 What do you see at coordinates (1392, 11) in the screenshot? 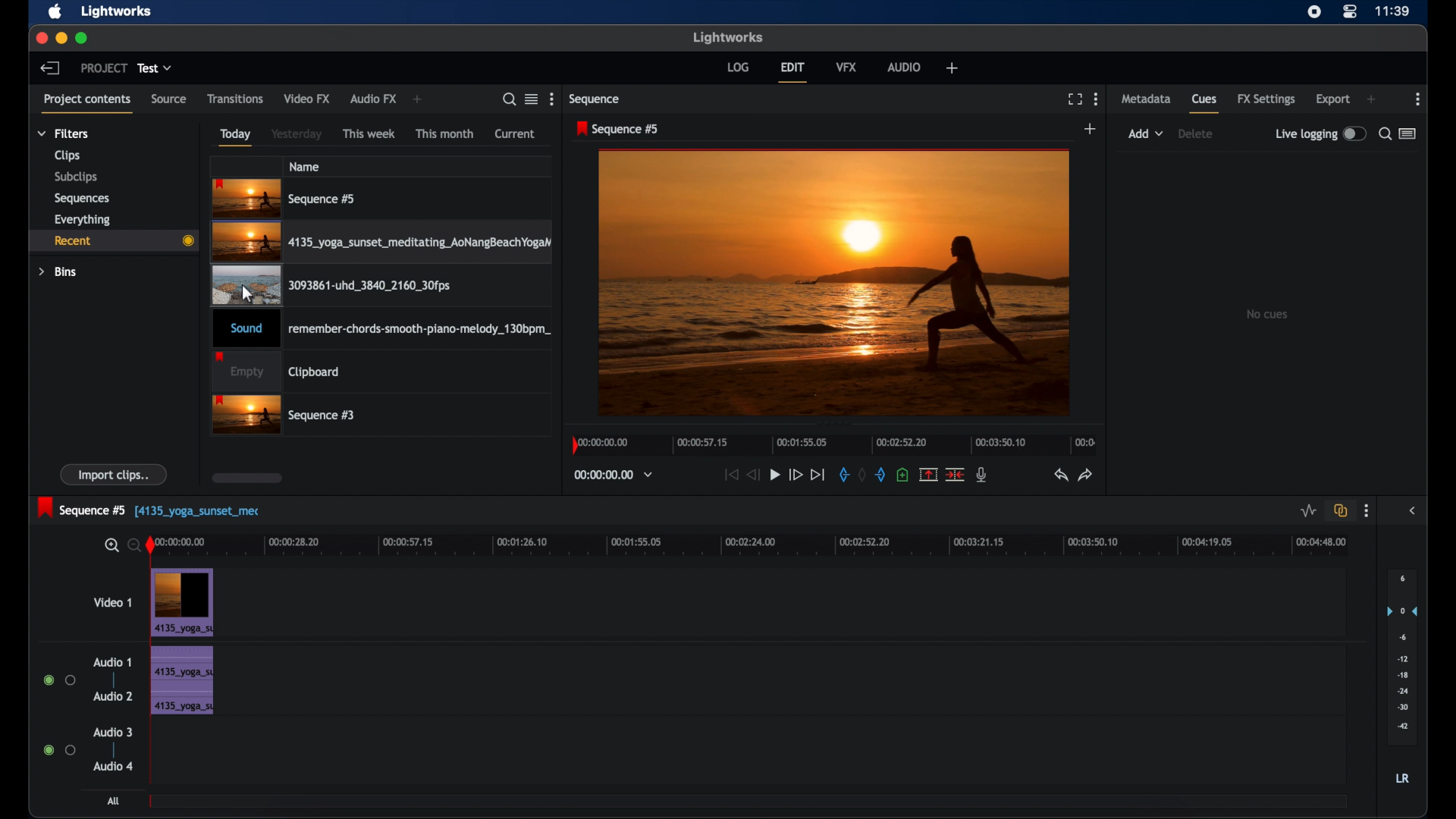
I see `time` at bounding box center [1392, 11].